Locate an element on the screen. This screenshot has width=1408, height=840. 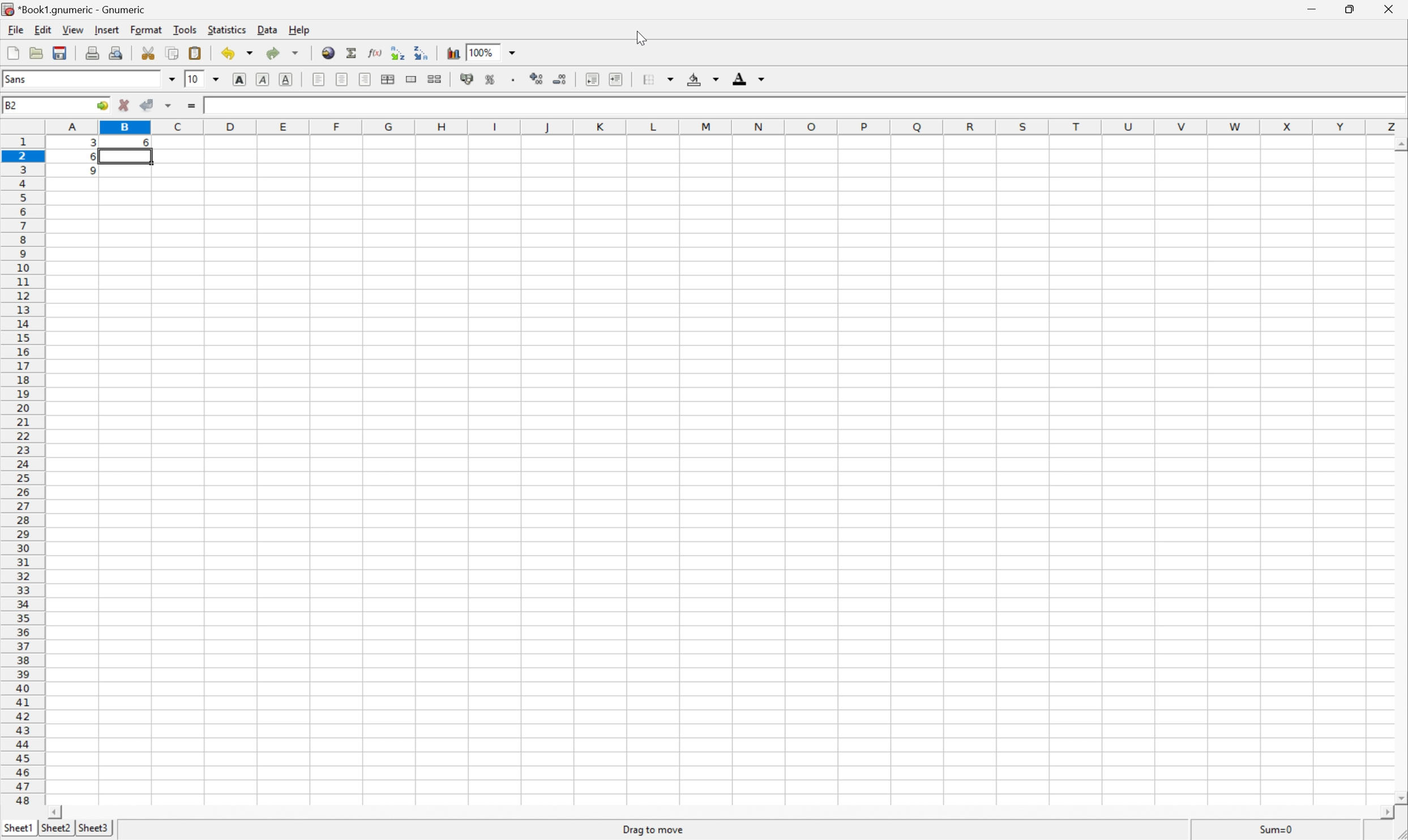
Edit a function in current cell is located at coordinates (374, 52).